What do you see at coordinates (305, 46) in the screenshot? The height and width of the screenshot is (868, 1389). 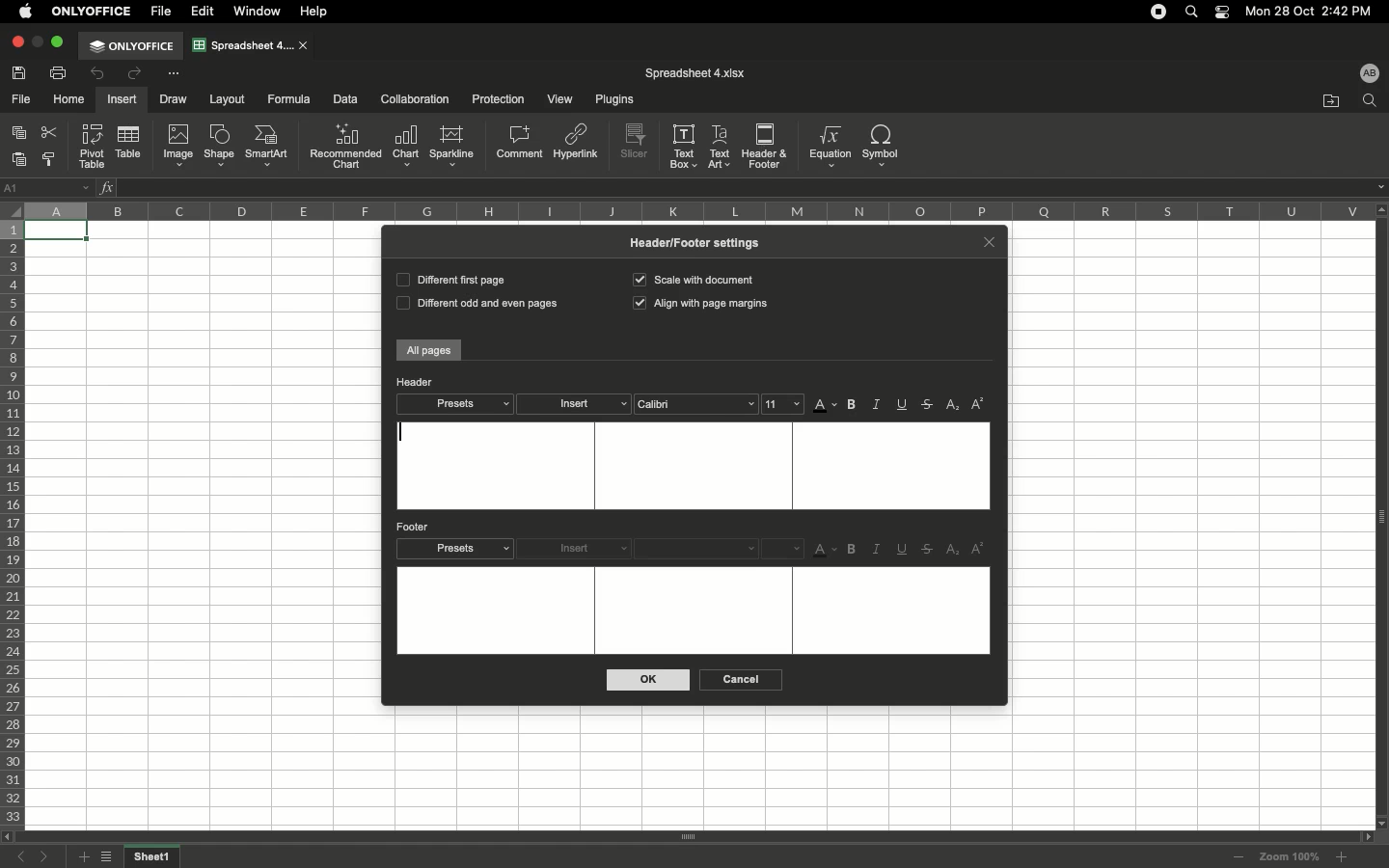 I see `close` at bounding box center [305, 46].